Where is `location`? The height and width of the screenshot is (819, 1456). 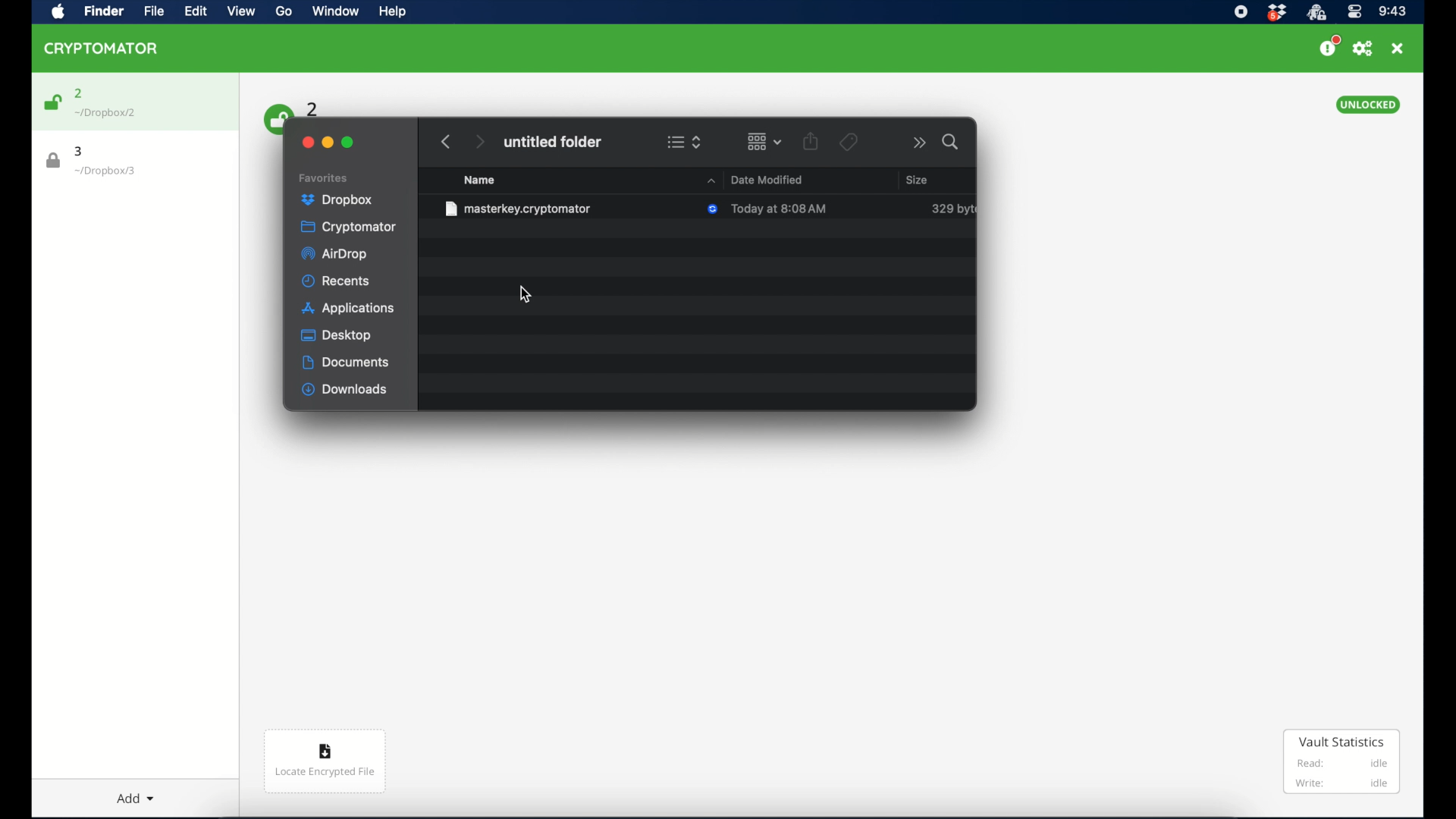
location is located at coordinates (105, 171).